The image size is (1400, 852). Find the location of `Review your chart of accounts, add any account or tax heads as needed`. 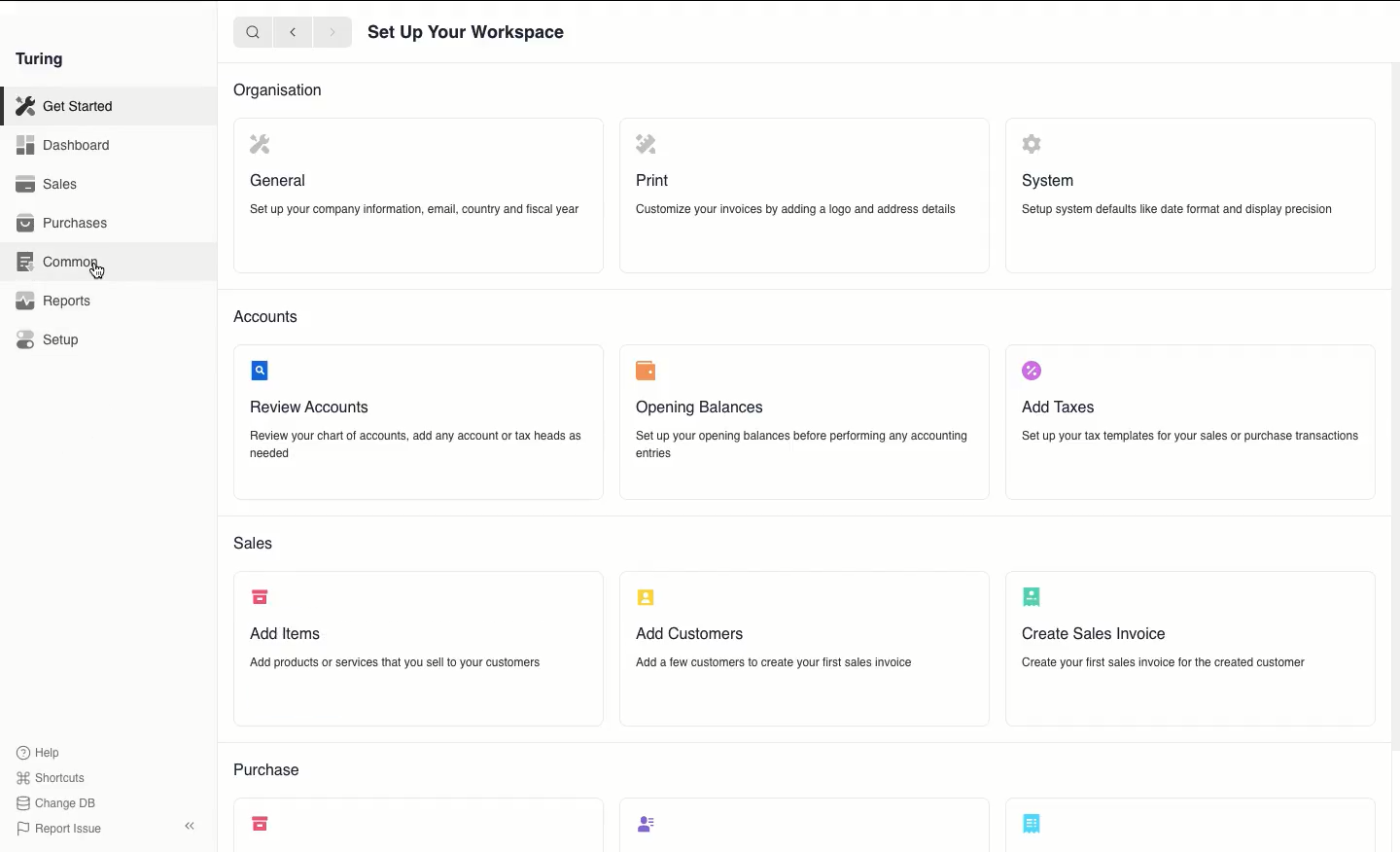

Review your chart of accounts, add any account or tax heads as needed is located at coordinates (418, 443).